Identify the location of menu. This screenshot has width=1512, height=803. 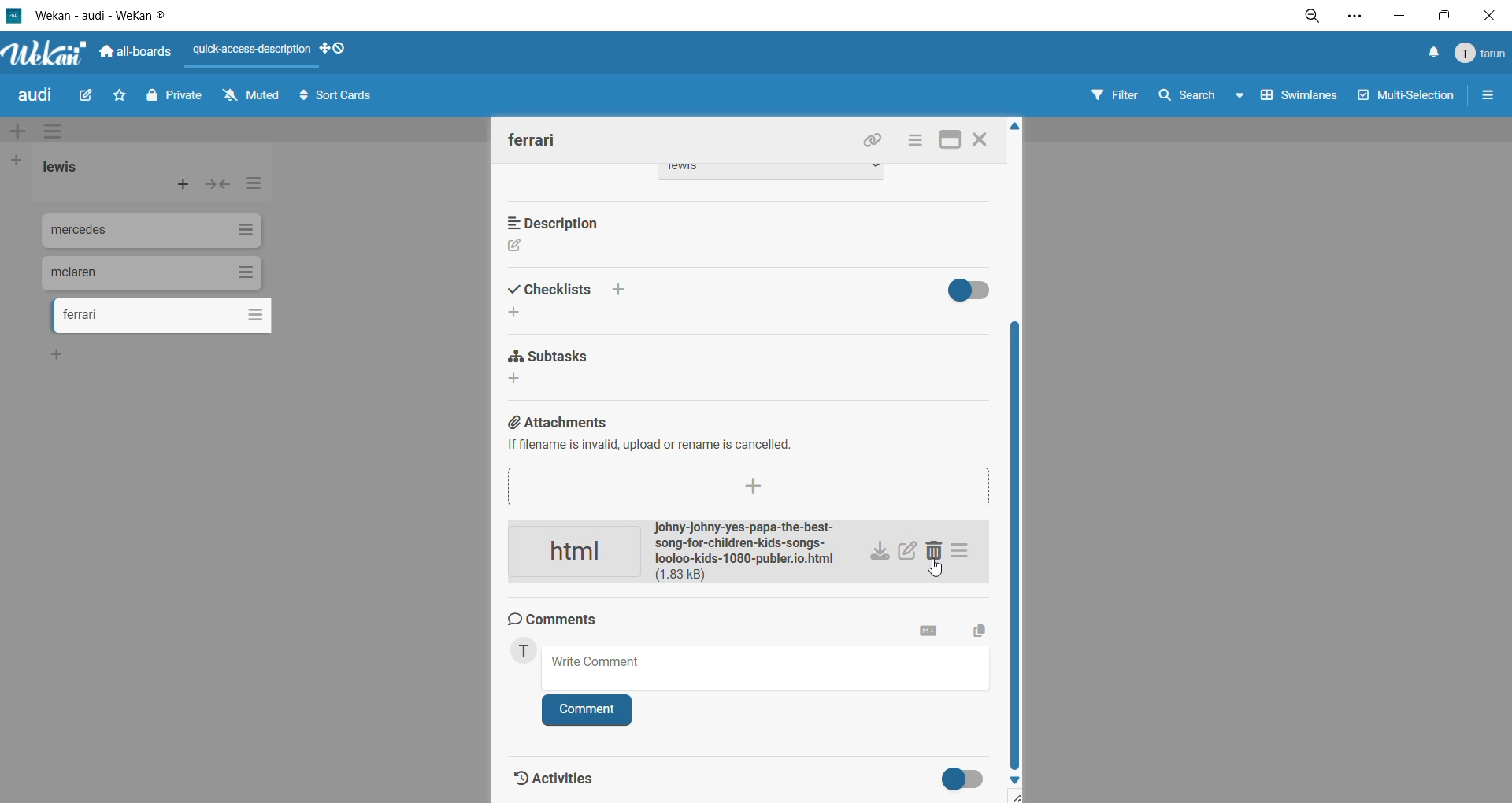
(1480, 55).